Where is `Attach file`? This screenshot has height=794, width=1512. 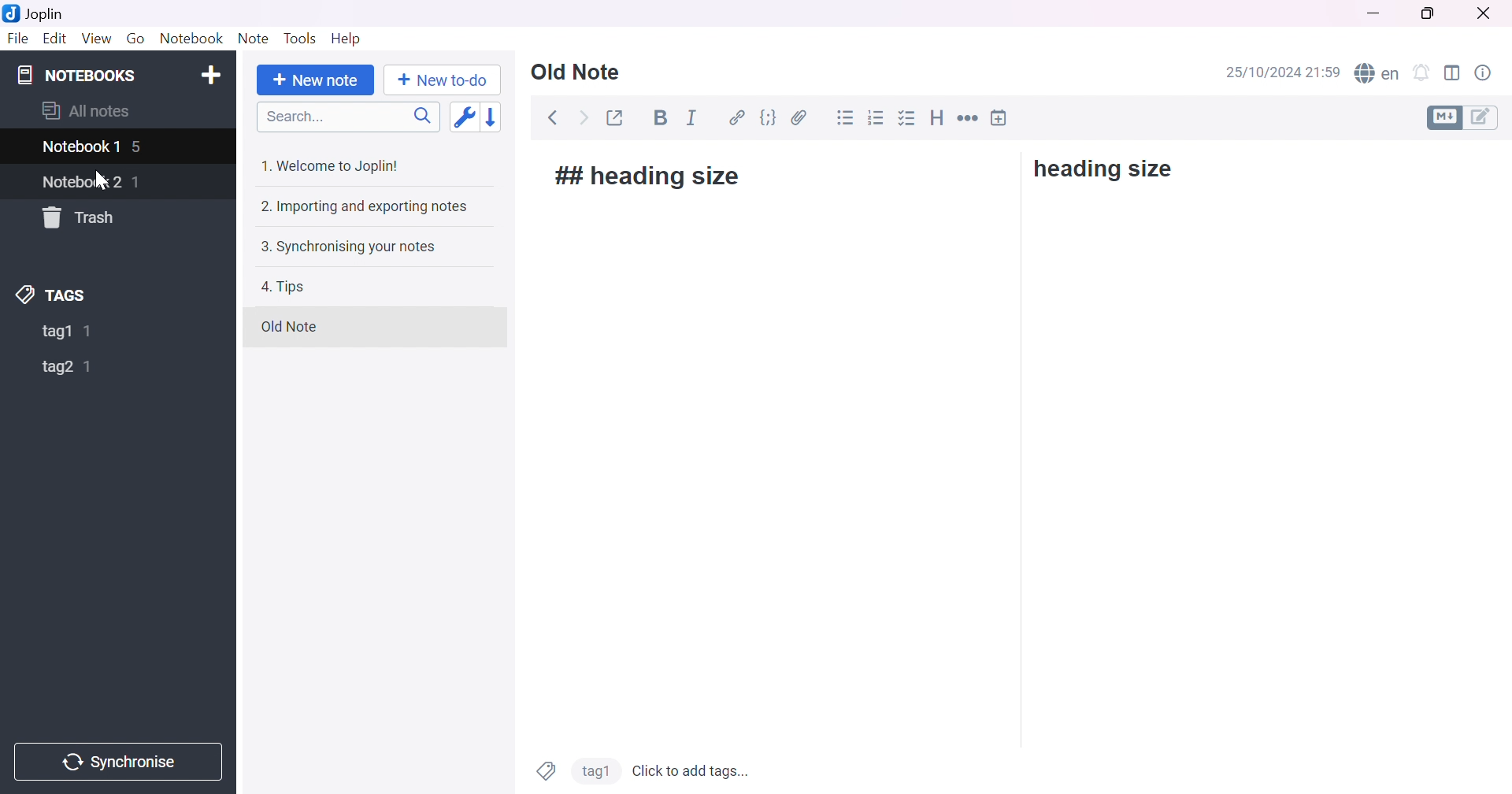
Attach file is located at coordinates (799, 119).